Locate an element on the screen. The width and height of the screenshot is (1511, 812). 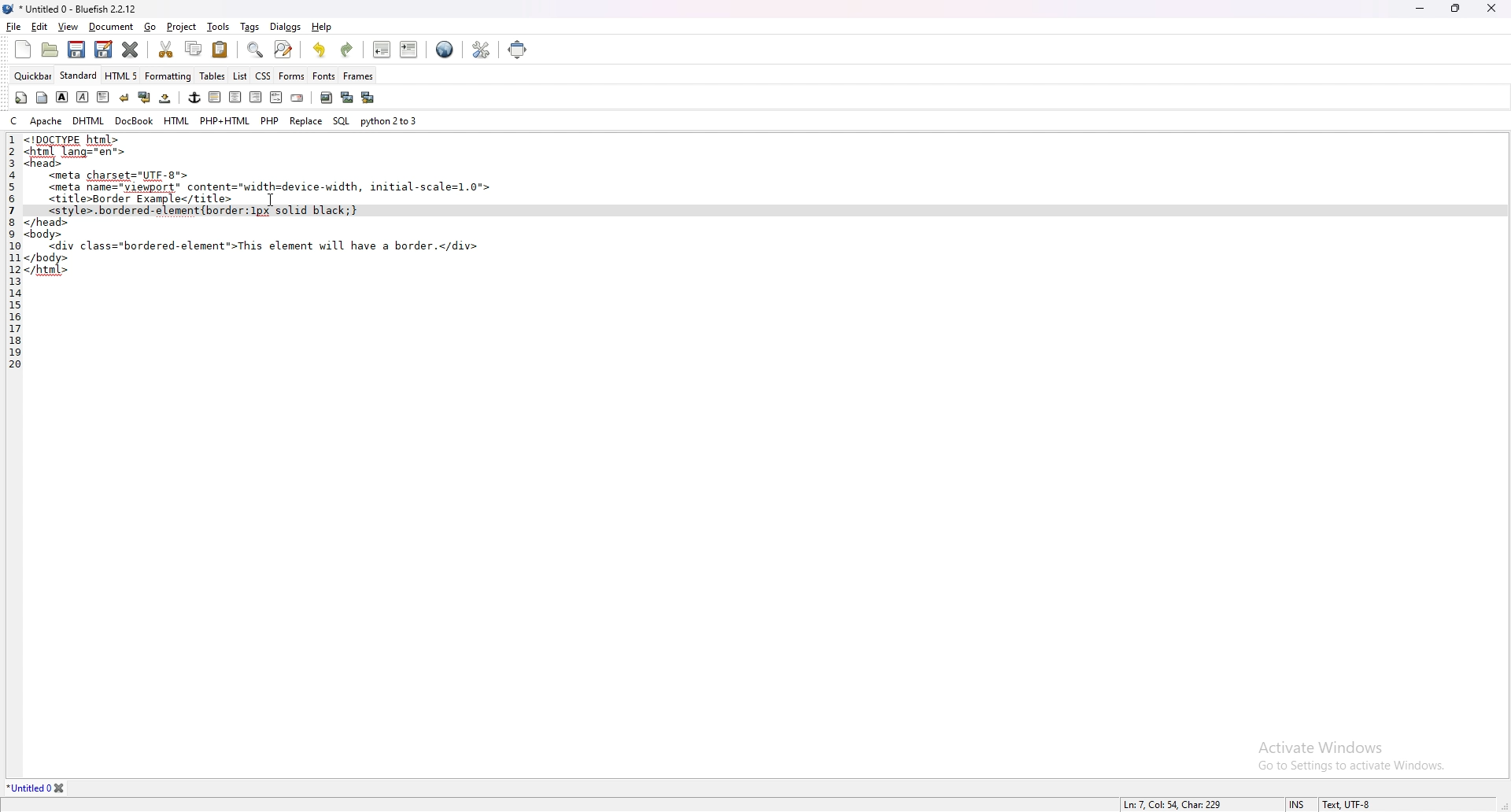
dhtml is located at coordinates (90, 120).